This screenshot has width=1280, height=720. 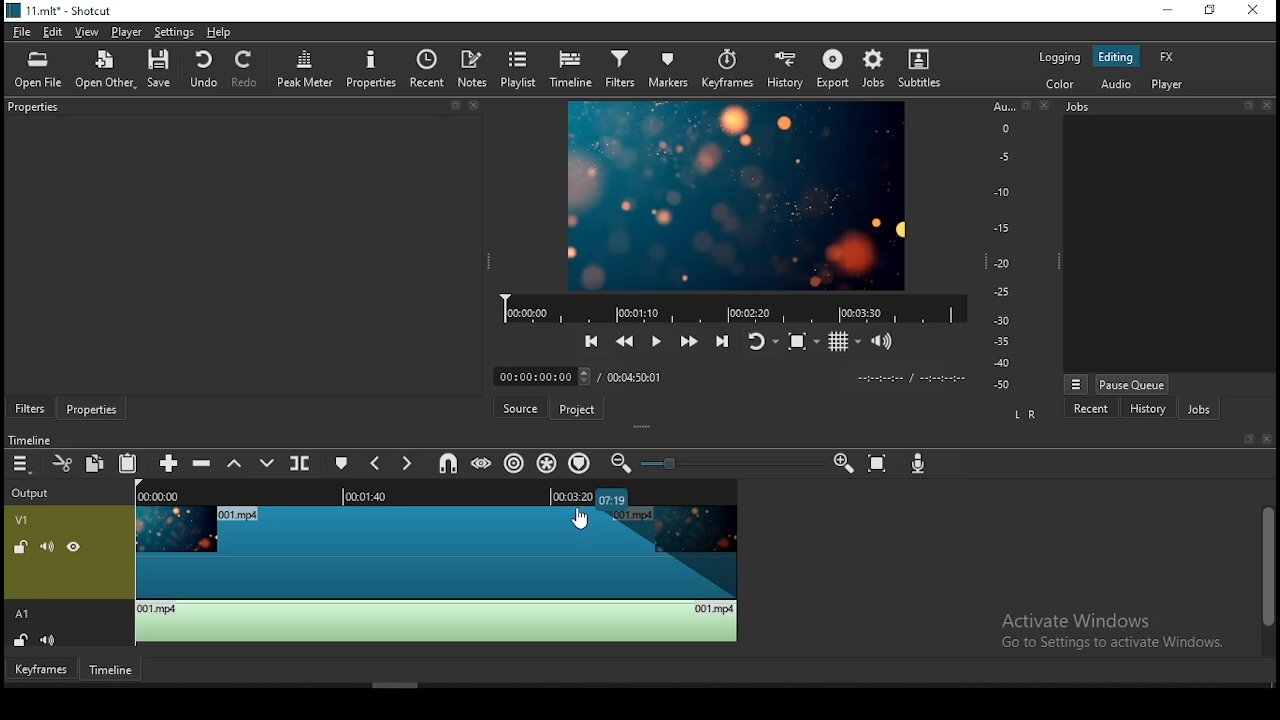 I want to click on undo, so click(x=205, y=71).